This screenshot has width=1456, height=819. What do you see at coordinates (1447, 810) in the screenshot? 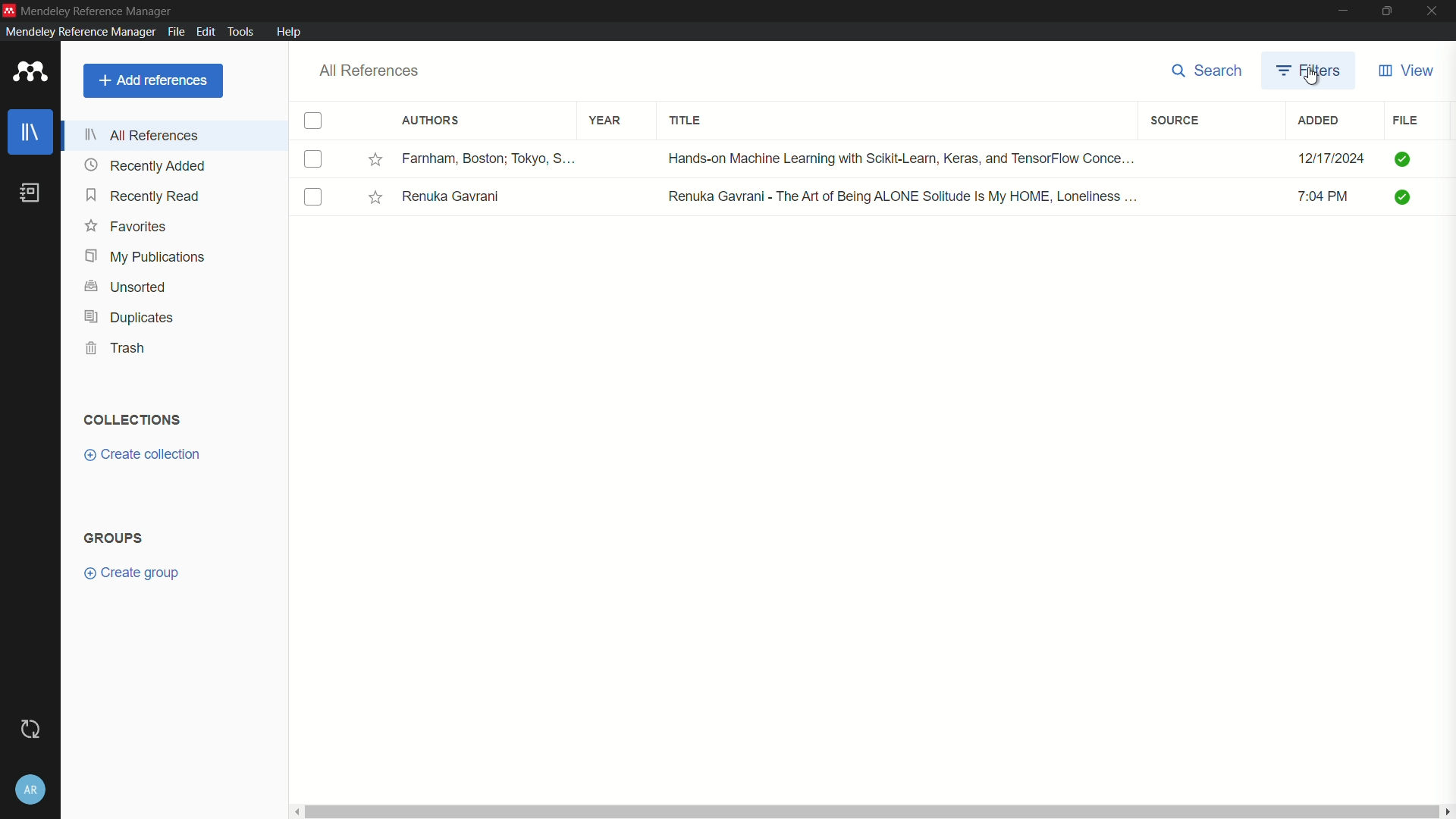
I see `scroll right` at bounding box center [1447, 810].